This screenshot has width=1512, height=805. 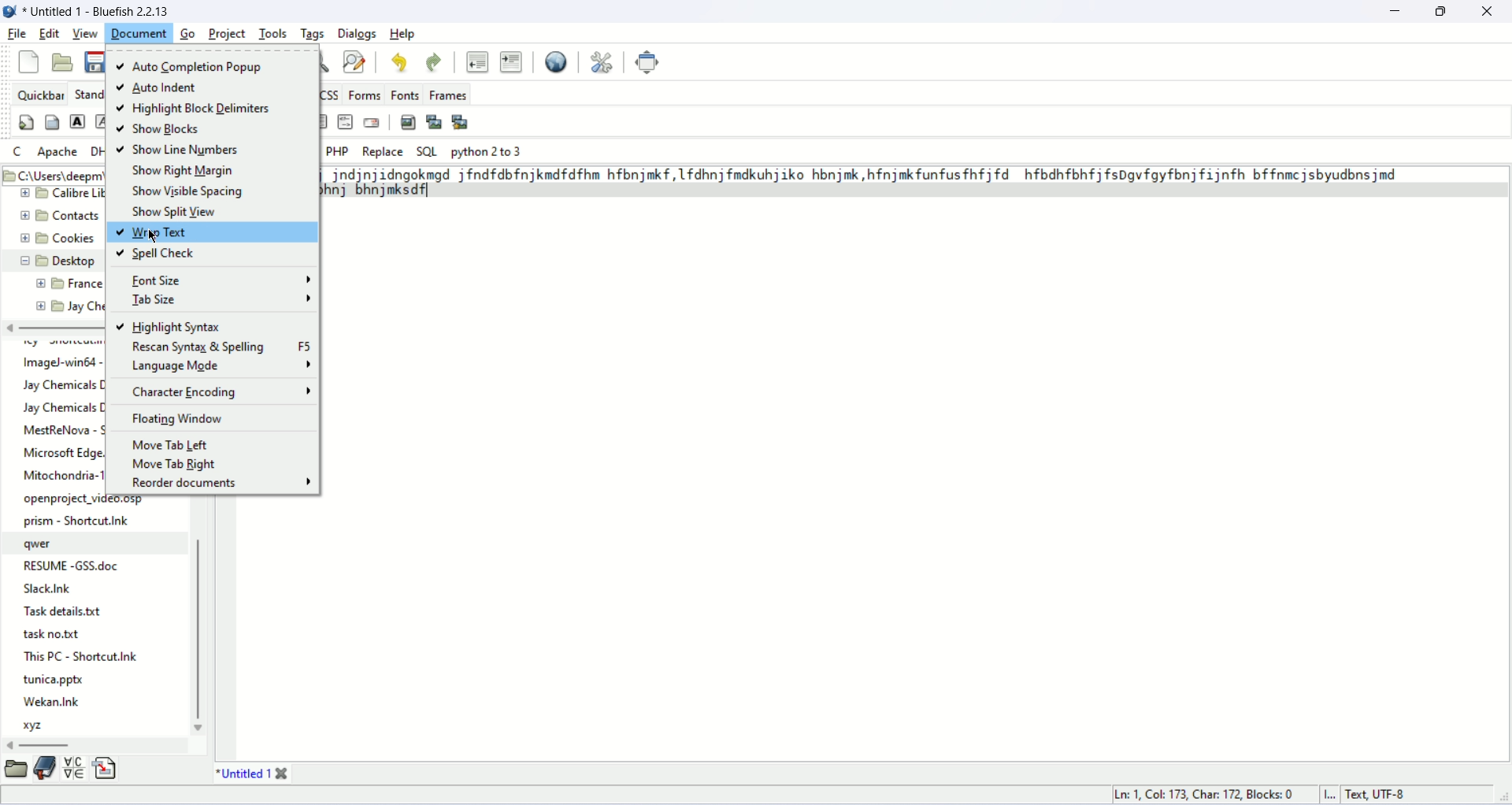 I want to click on forms, so click(x=365, y=95).